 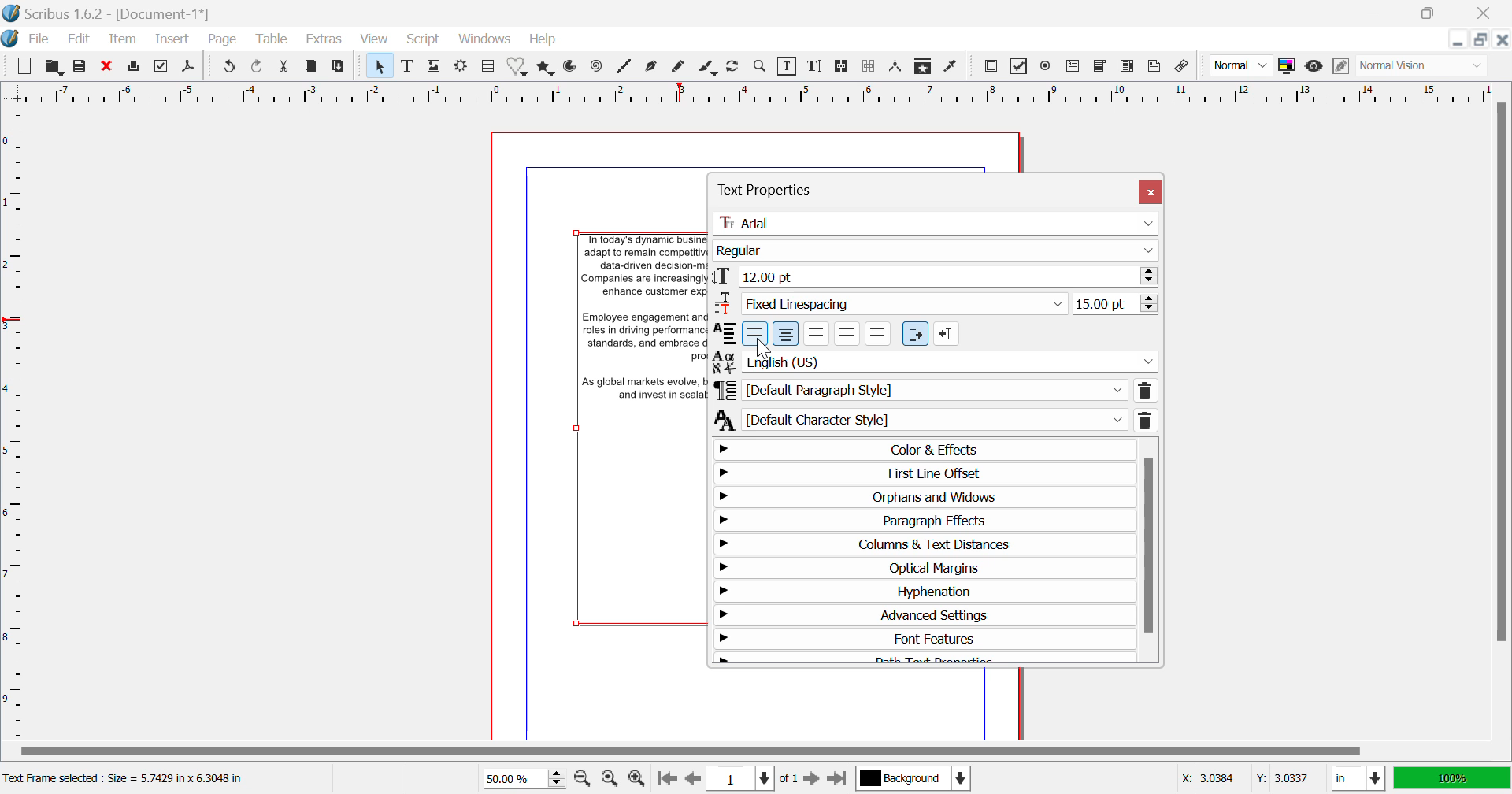 I want to click on Page, so click(x=223, y=41).